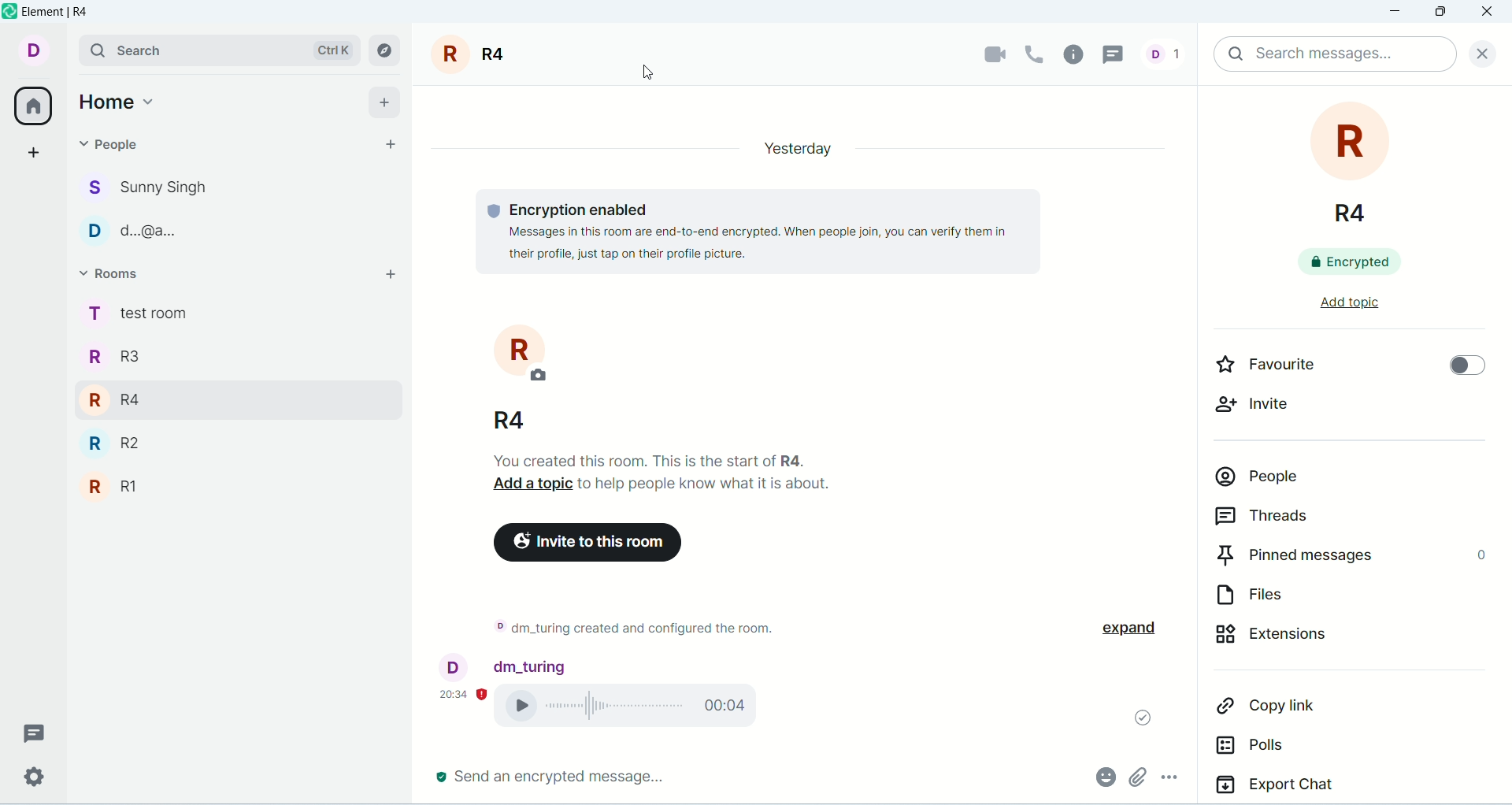  What do you see at coordinates (1136, 714) in the screenshot?
I see `message sent` at bounding box center [1136, 714].